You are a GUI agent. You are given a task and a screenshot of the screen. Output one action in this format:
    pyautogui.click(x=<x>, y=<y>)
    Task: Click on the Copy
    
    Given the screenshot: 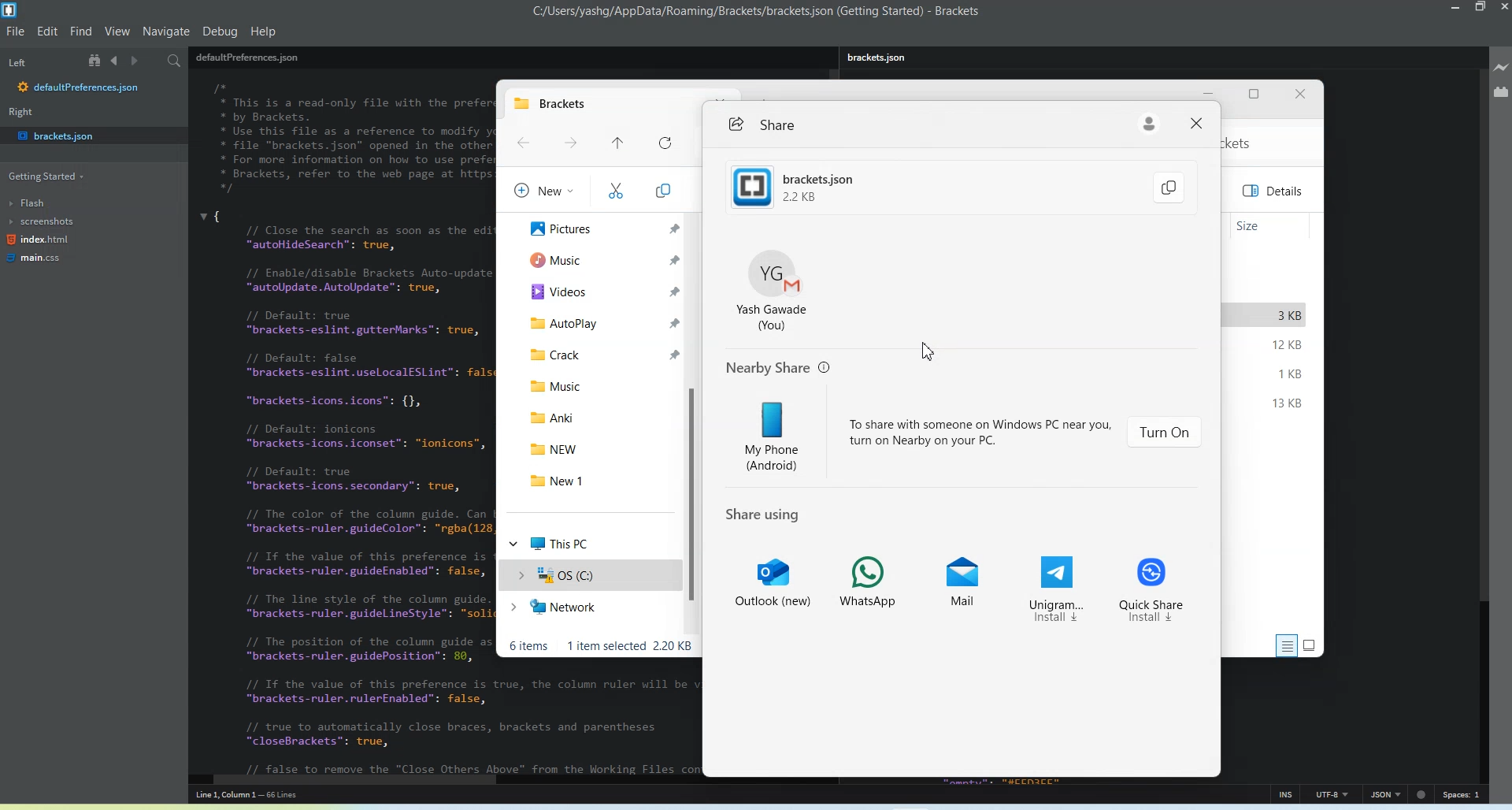 What is the action you would take?
    pyautogui.click(x=1169, y=188)
    